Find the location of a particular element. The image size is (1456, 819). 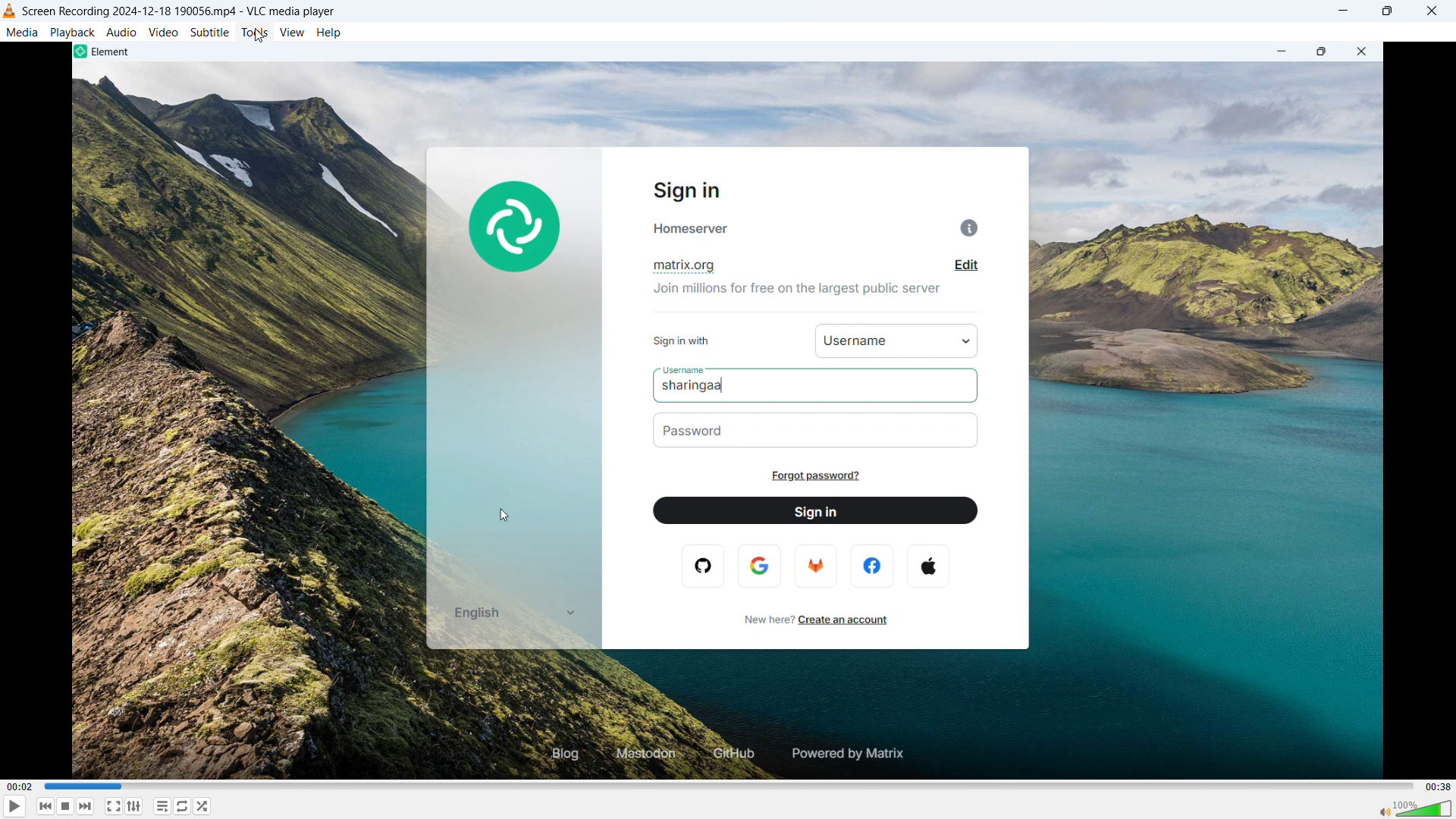

backward or previous media is located at coordinates (45, 807).